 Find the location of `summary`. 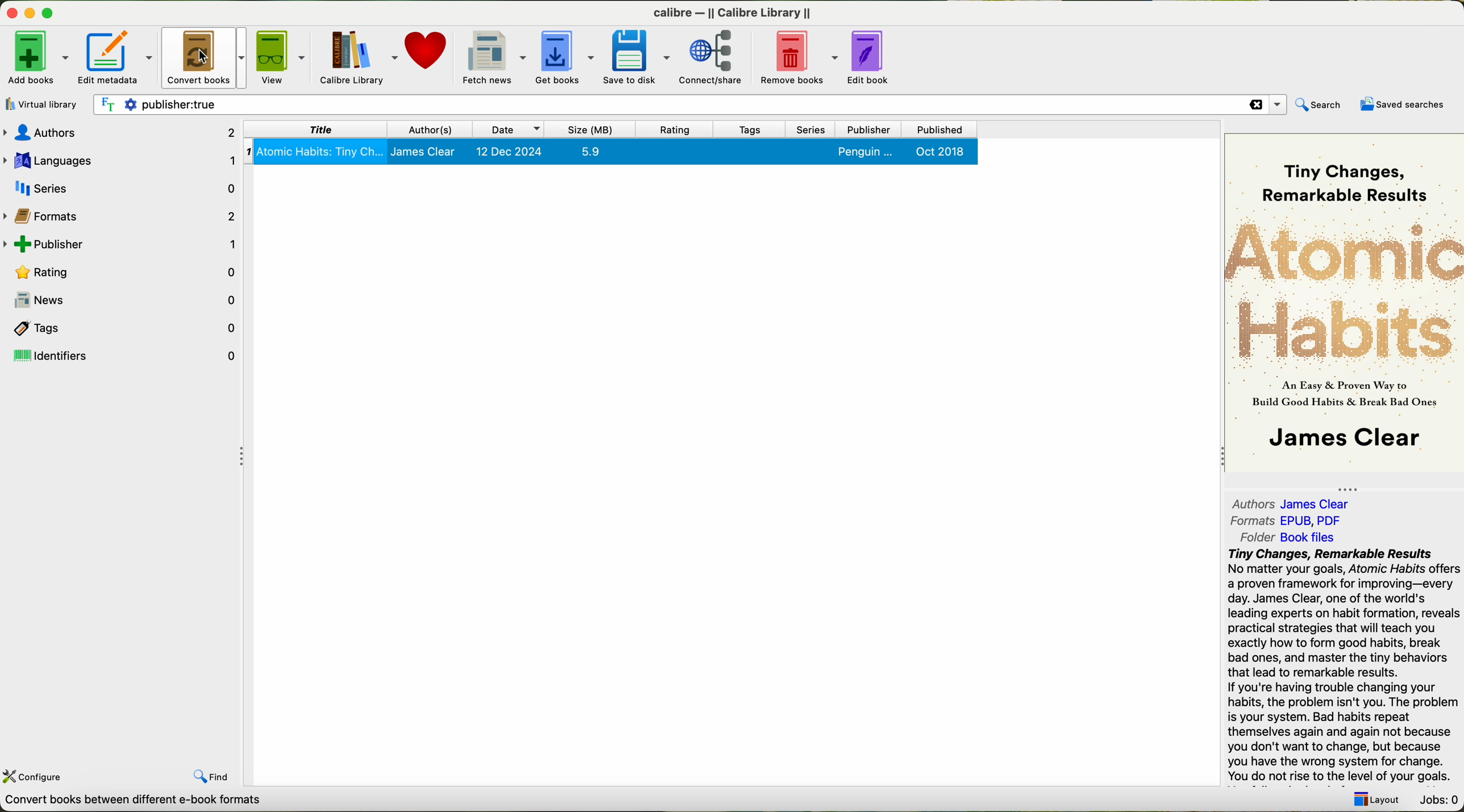

summary is located at coordinates (1342, 667).